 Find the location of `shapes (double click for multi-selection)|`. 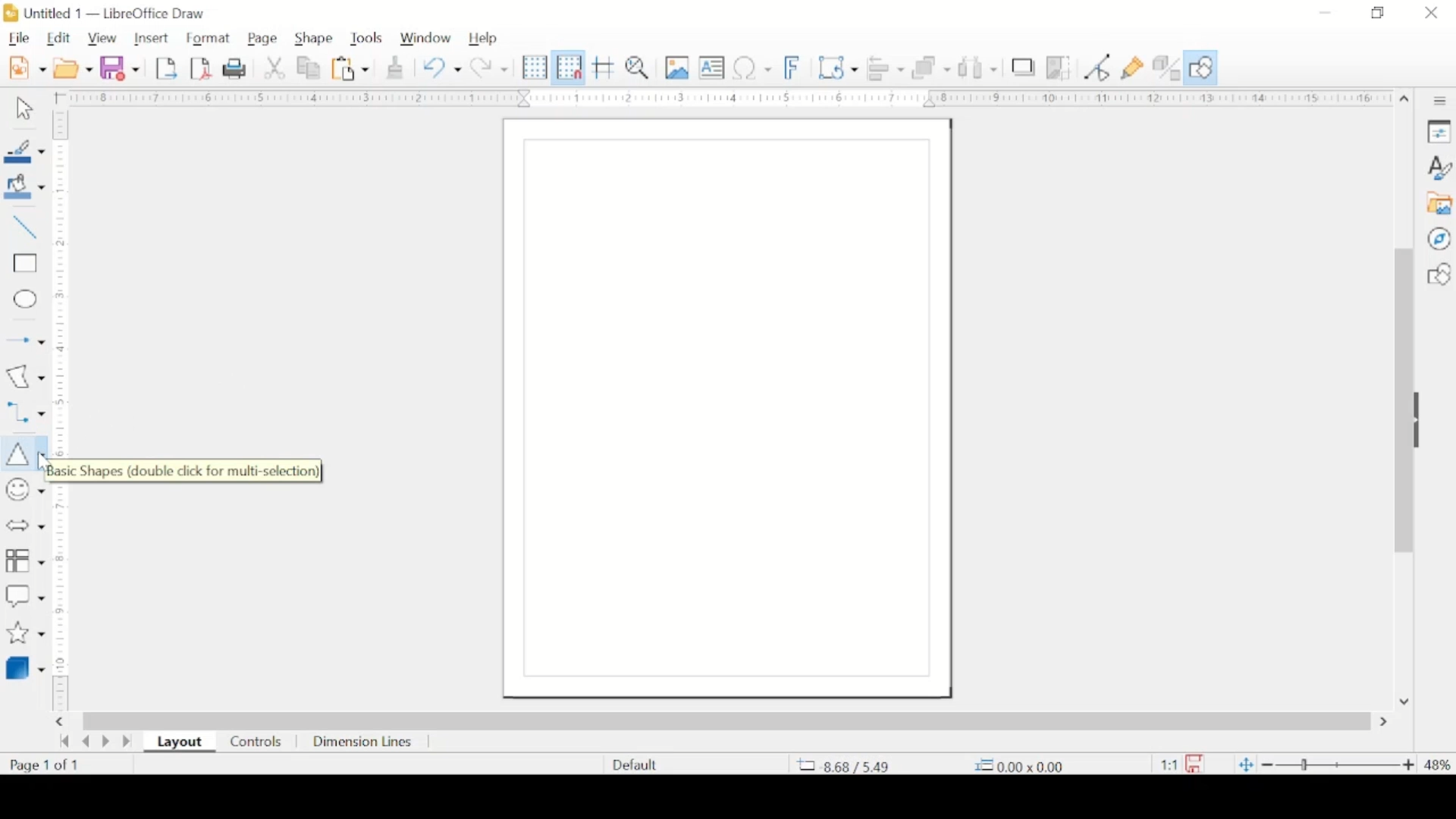

shapes (double click for multi-selection)| is located at coordinates (197, 470).